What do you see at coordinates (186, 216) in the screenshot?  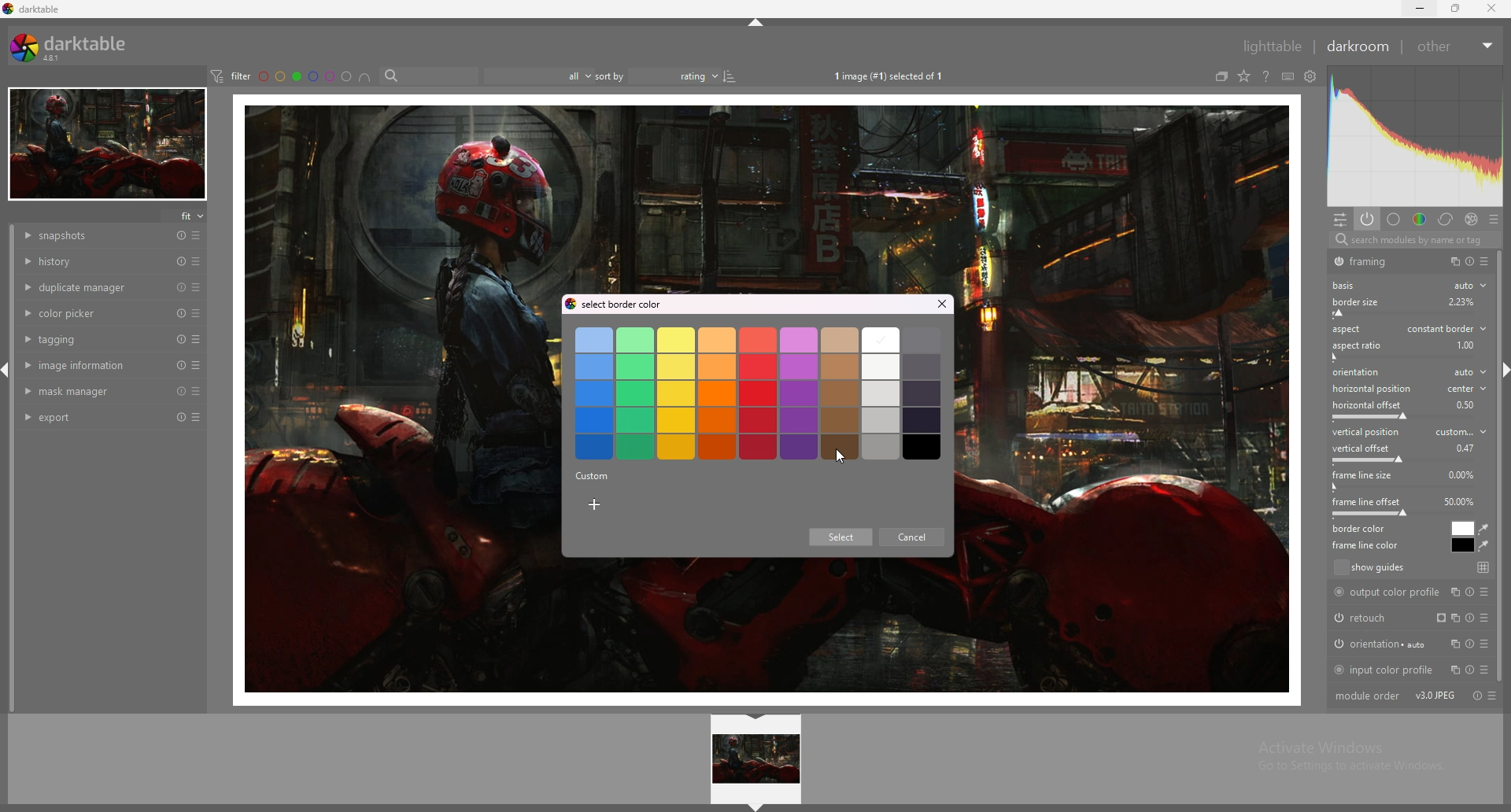 I see `fit` at bounding box center [186, 216].